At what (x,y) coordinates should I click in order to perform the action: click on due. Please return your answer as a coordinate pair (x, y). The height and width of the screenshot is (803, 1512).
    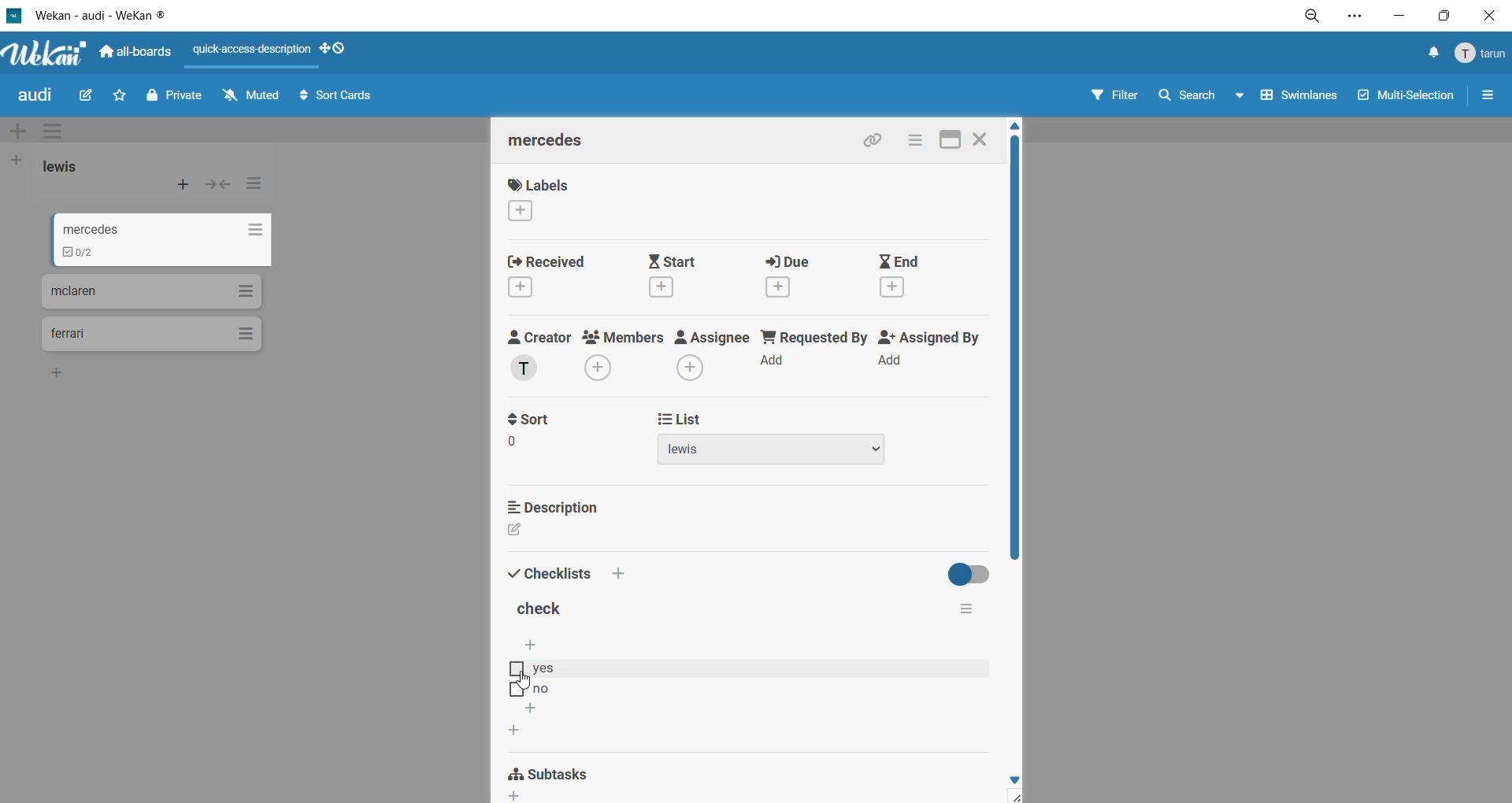
    Looking at the image, I should click on (796, 274).